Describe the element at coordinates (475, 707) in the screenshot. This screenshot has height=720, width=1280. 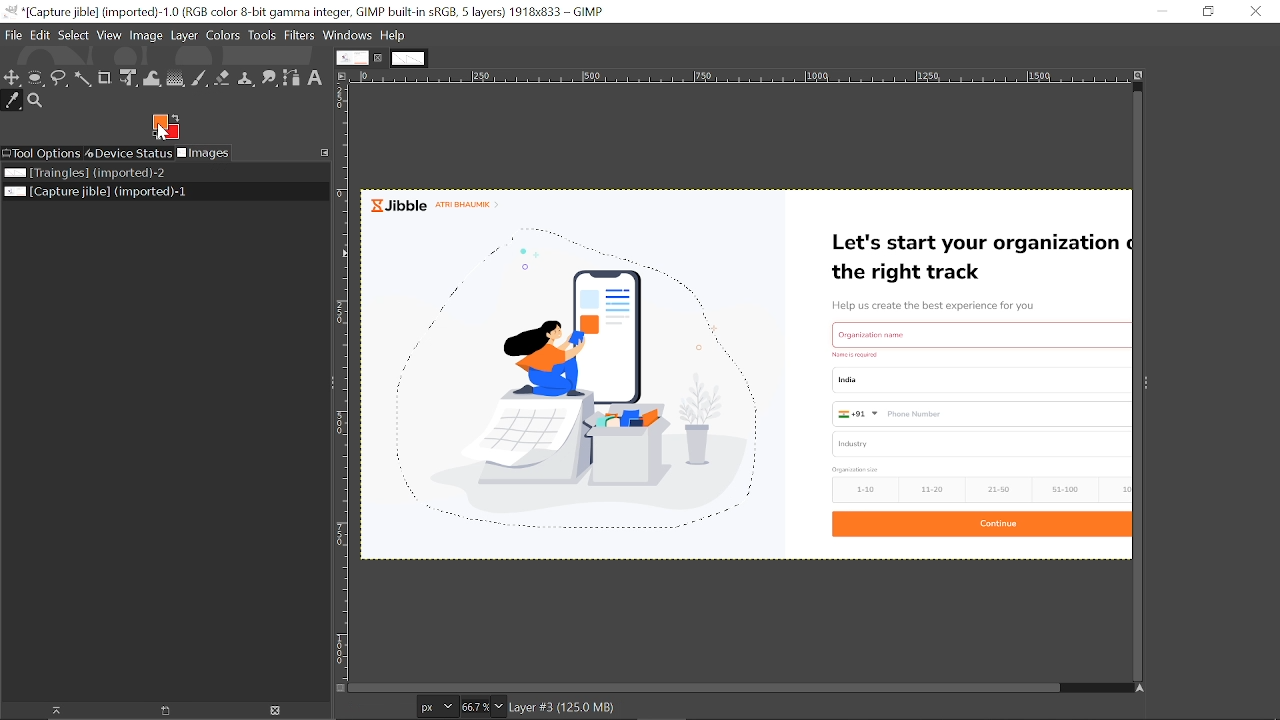
I see `Current zoom` at that location.